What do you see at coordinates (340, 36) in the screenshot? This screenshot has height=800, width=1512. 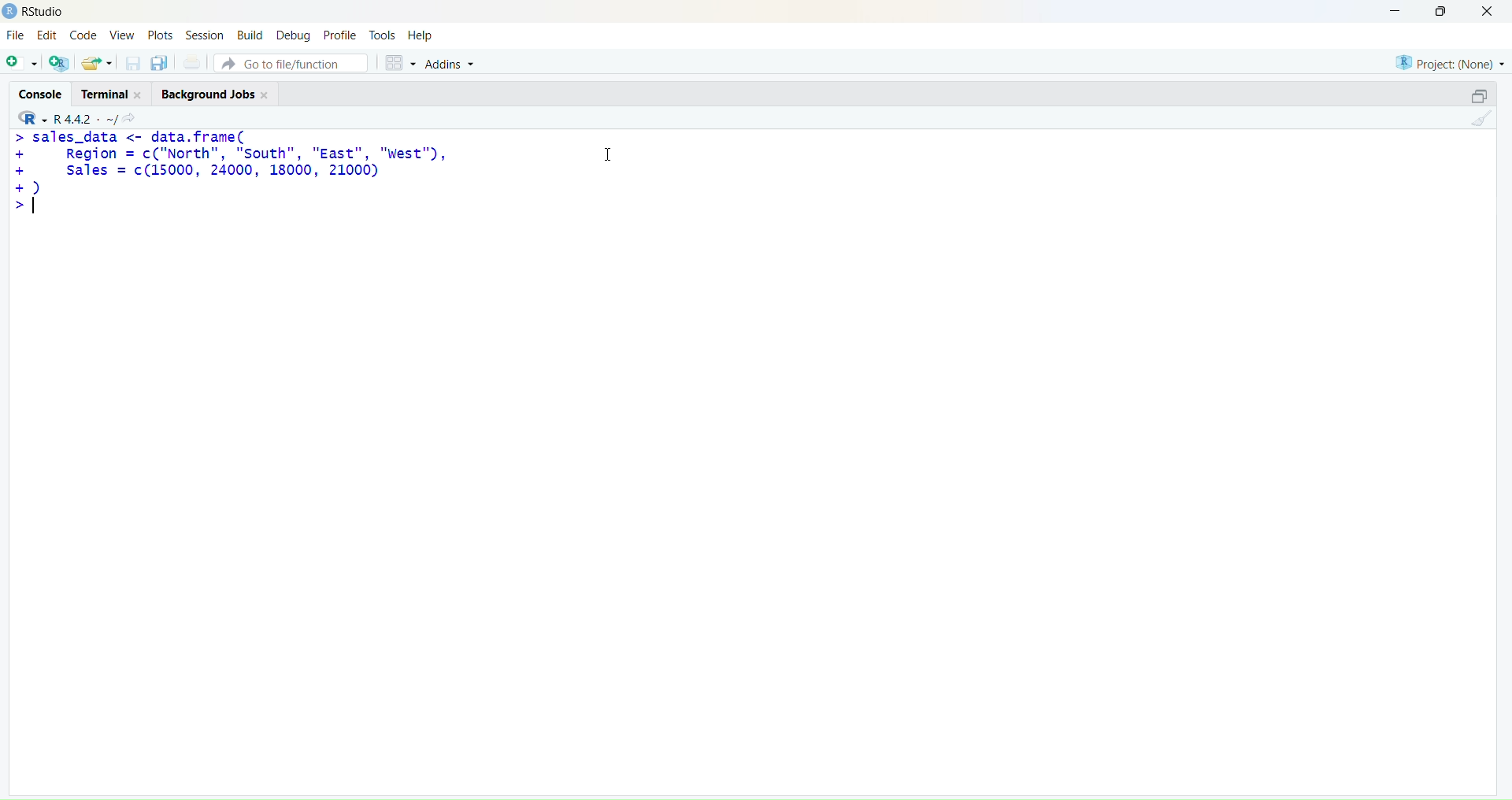 I see `Profile` at bounding box center [340, 36].